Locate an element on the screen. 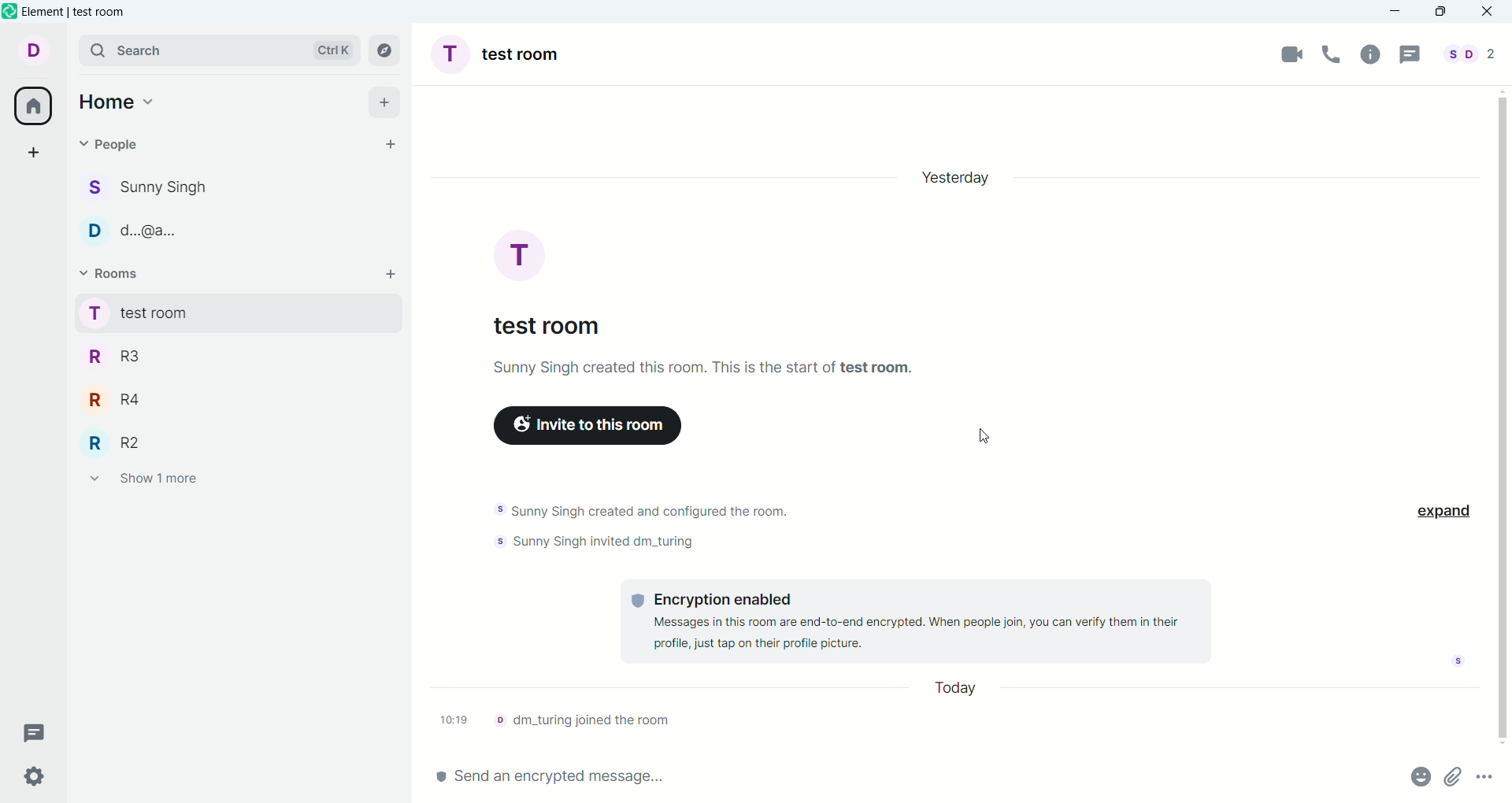 The height and width of the screenshot is (803, 1512). scroll up is located at coordinates (1503, 91).